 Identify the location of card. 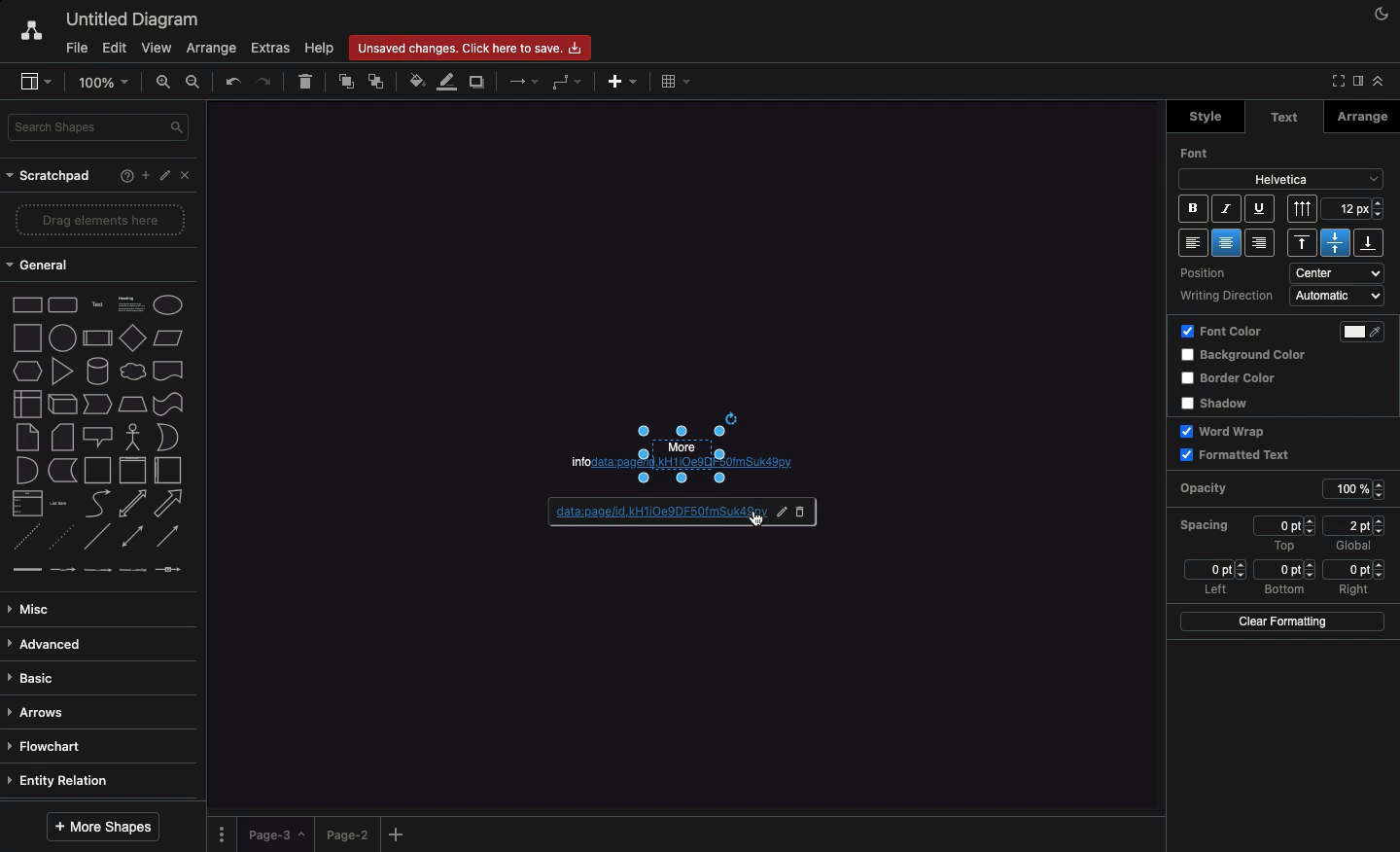
(63, 436).